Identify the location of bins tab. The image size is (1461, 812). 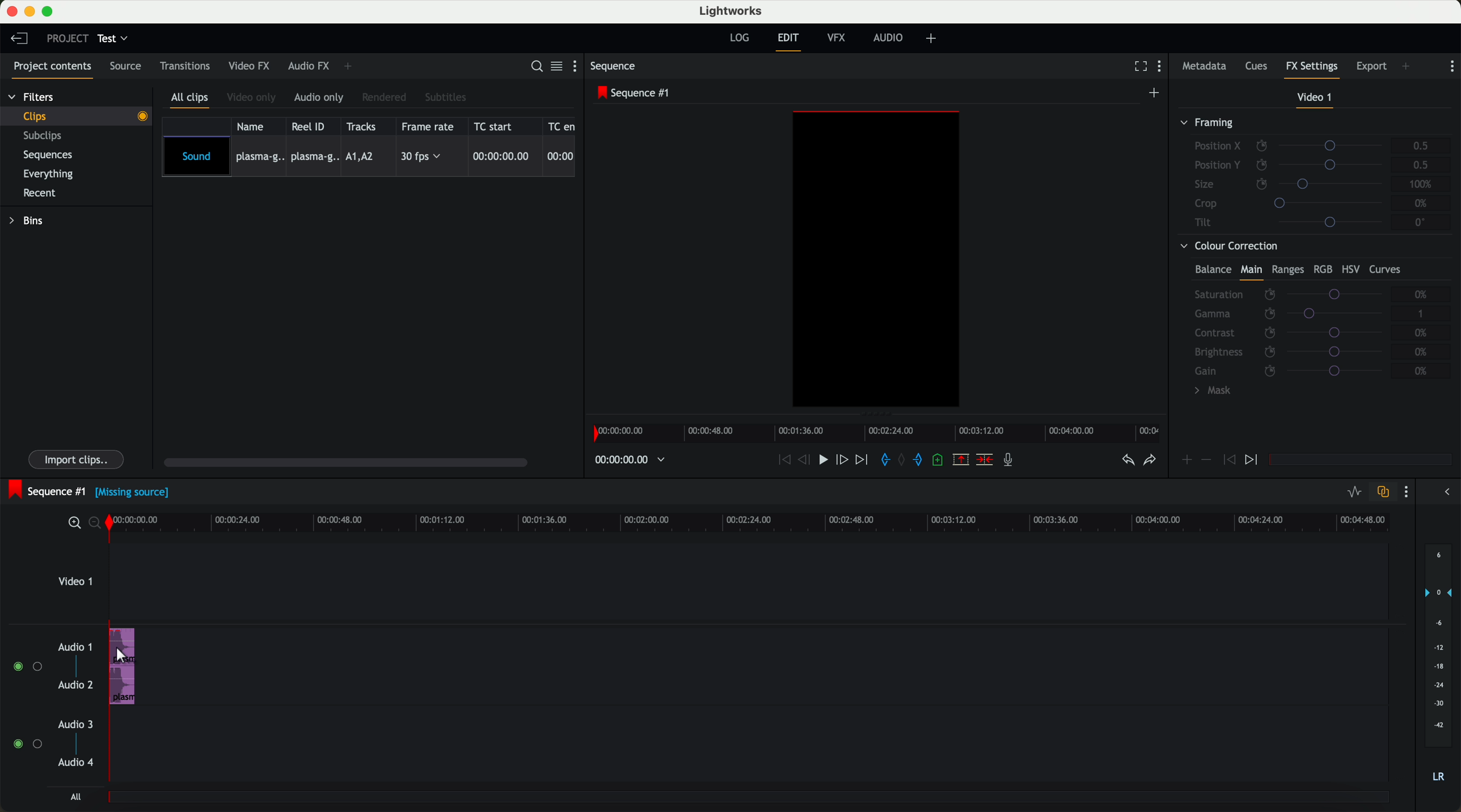
(30, 222).